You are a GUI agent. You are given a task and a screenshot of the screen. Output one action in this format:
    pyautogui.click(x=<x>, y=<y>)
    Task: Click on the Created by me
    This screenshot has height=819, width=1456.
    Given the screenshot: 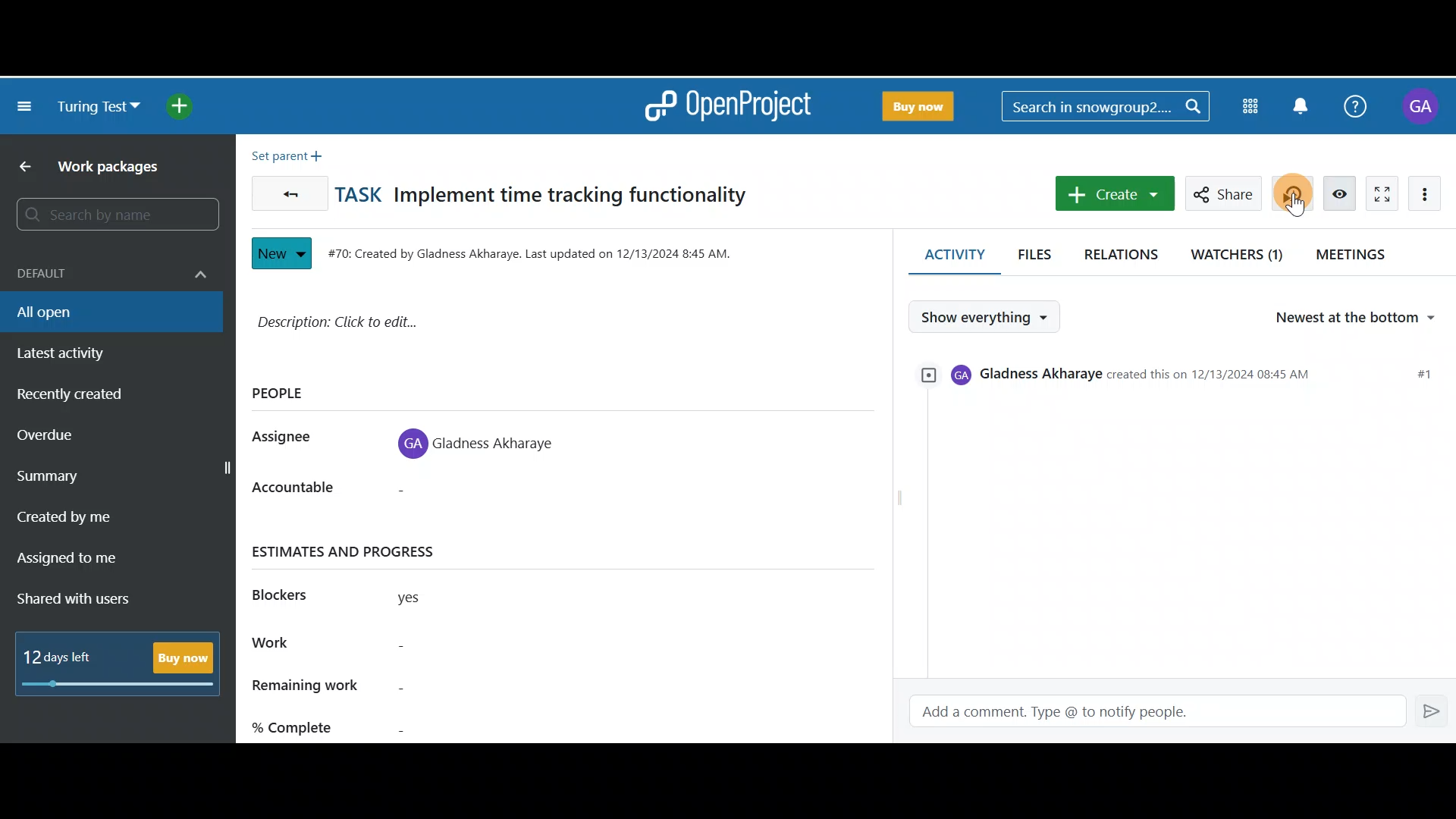 What is the action you would take?
    pyautogui.click(x=100, y=522)
    